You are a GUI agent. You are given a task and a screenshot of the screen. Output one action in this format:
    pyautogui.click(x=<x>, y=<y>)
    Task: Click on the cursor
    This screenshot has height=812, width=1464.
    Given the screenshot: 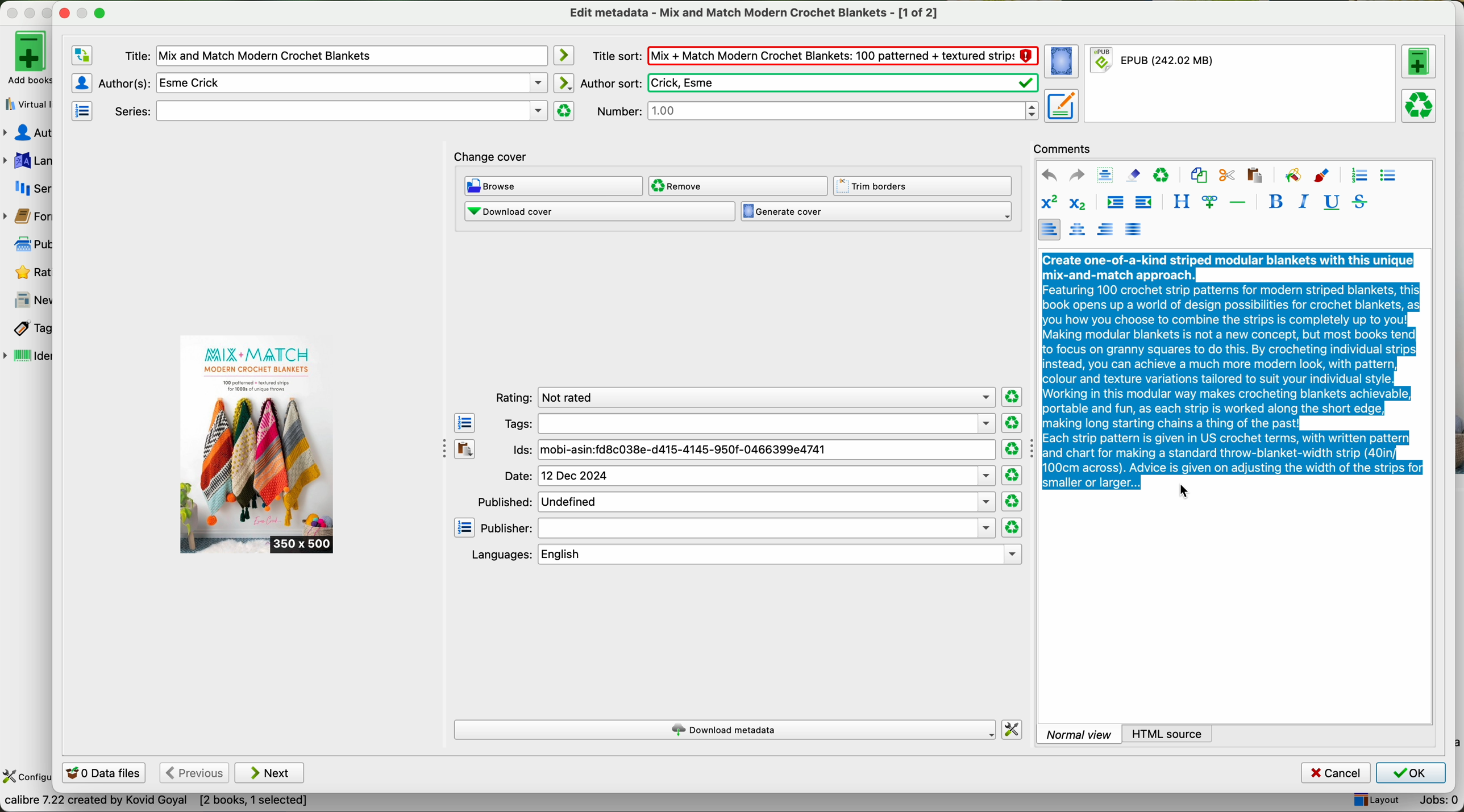 What is the action you would take?
    pyautogui.click(x=1187, y=492)
    